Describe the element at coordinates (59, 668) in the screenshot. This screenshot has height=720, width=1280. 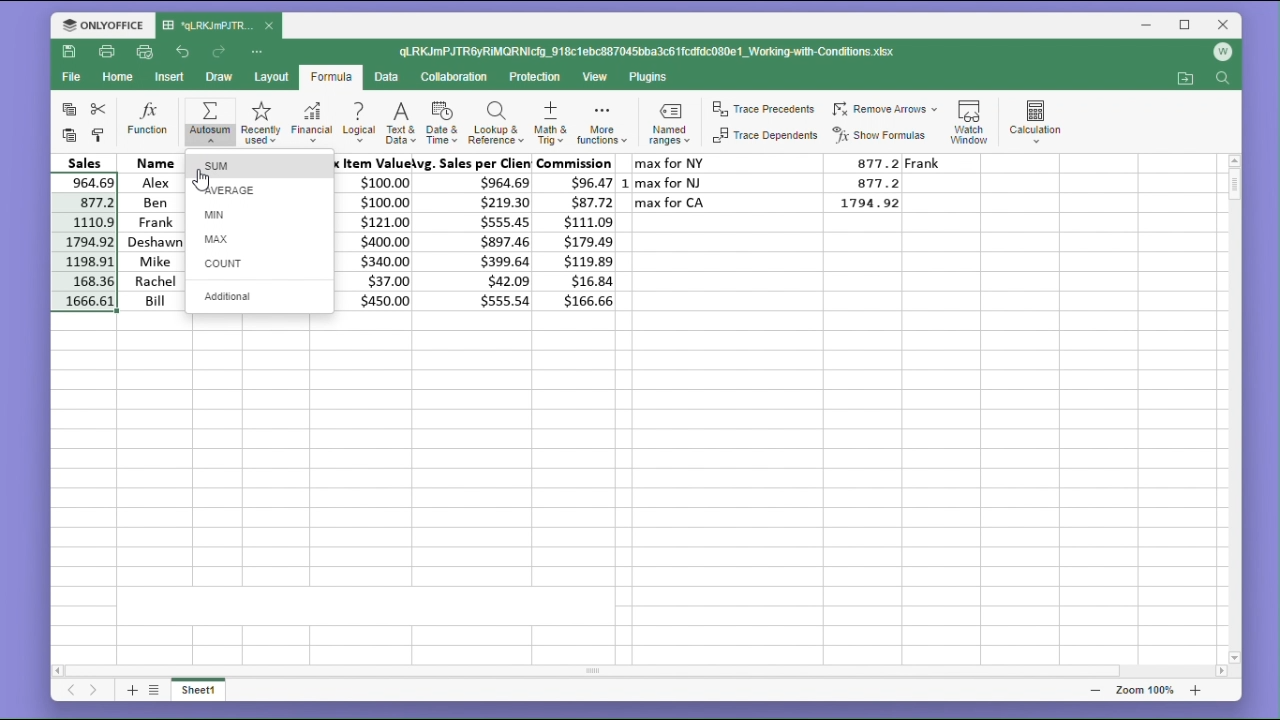
I see `scroll left` at that location.